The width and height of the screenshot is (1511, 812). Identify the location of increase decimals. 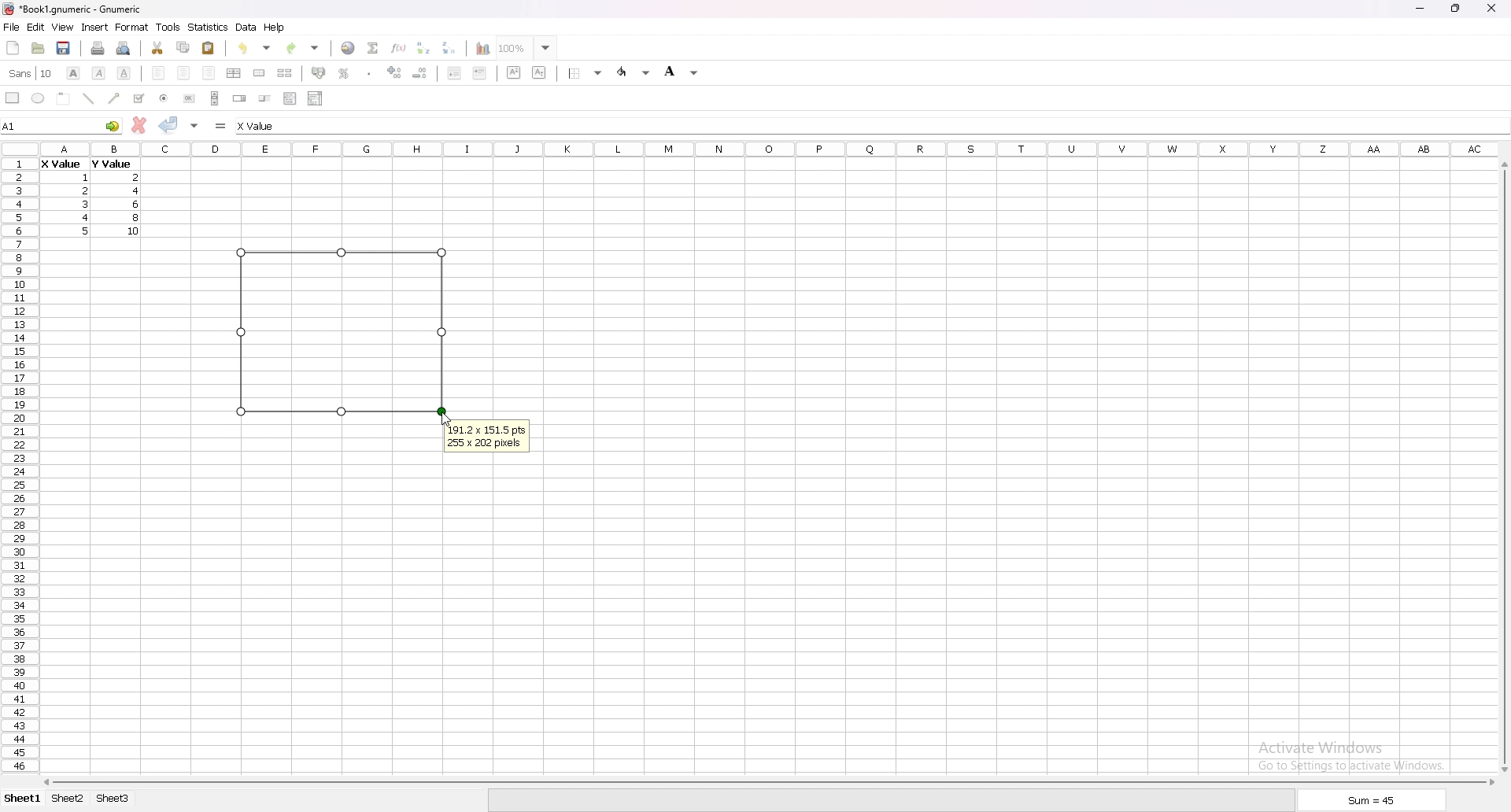
(395, 72).